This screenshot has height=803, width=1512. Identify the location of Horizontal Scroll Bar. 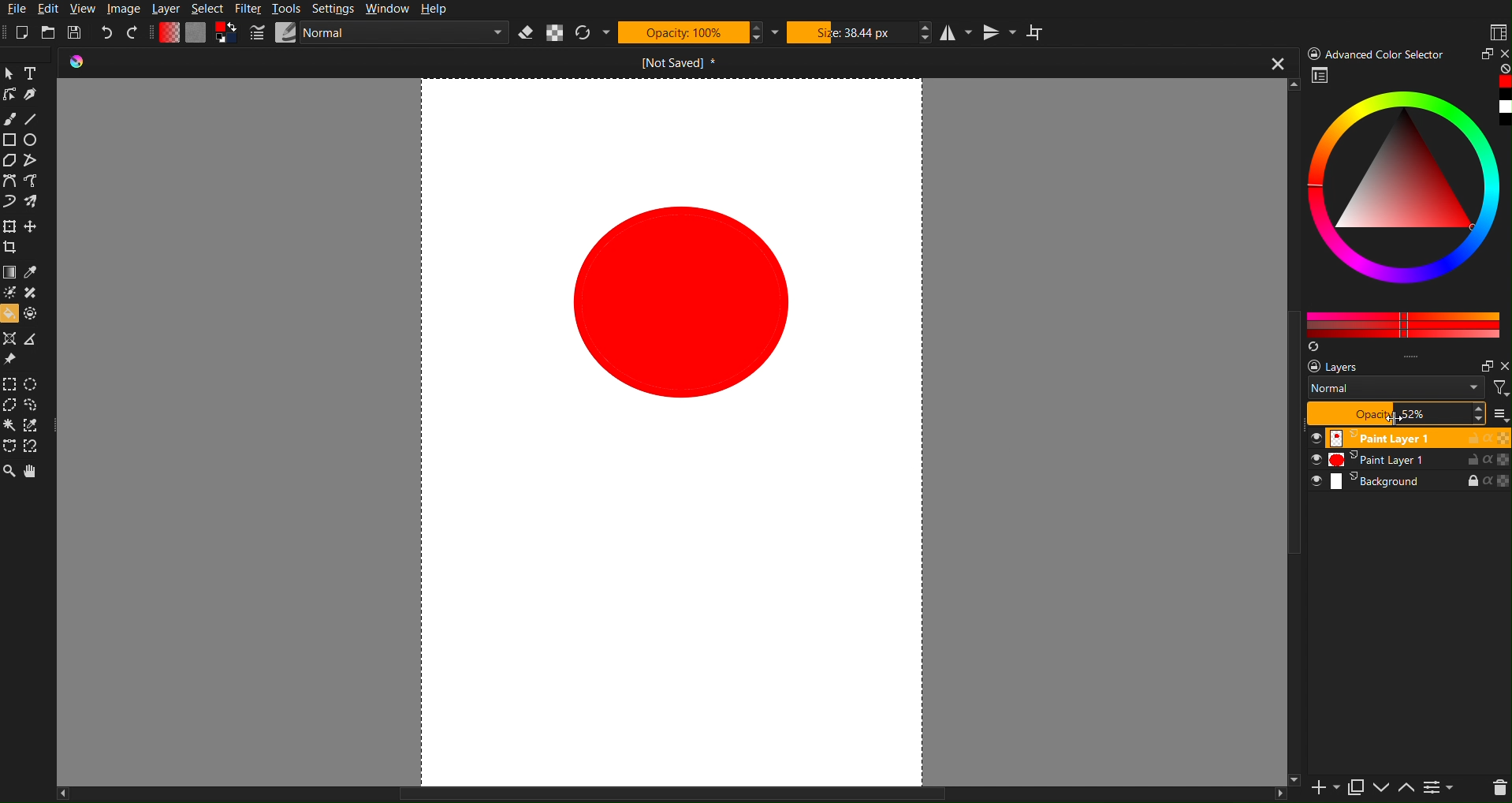
(662, 796).